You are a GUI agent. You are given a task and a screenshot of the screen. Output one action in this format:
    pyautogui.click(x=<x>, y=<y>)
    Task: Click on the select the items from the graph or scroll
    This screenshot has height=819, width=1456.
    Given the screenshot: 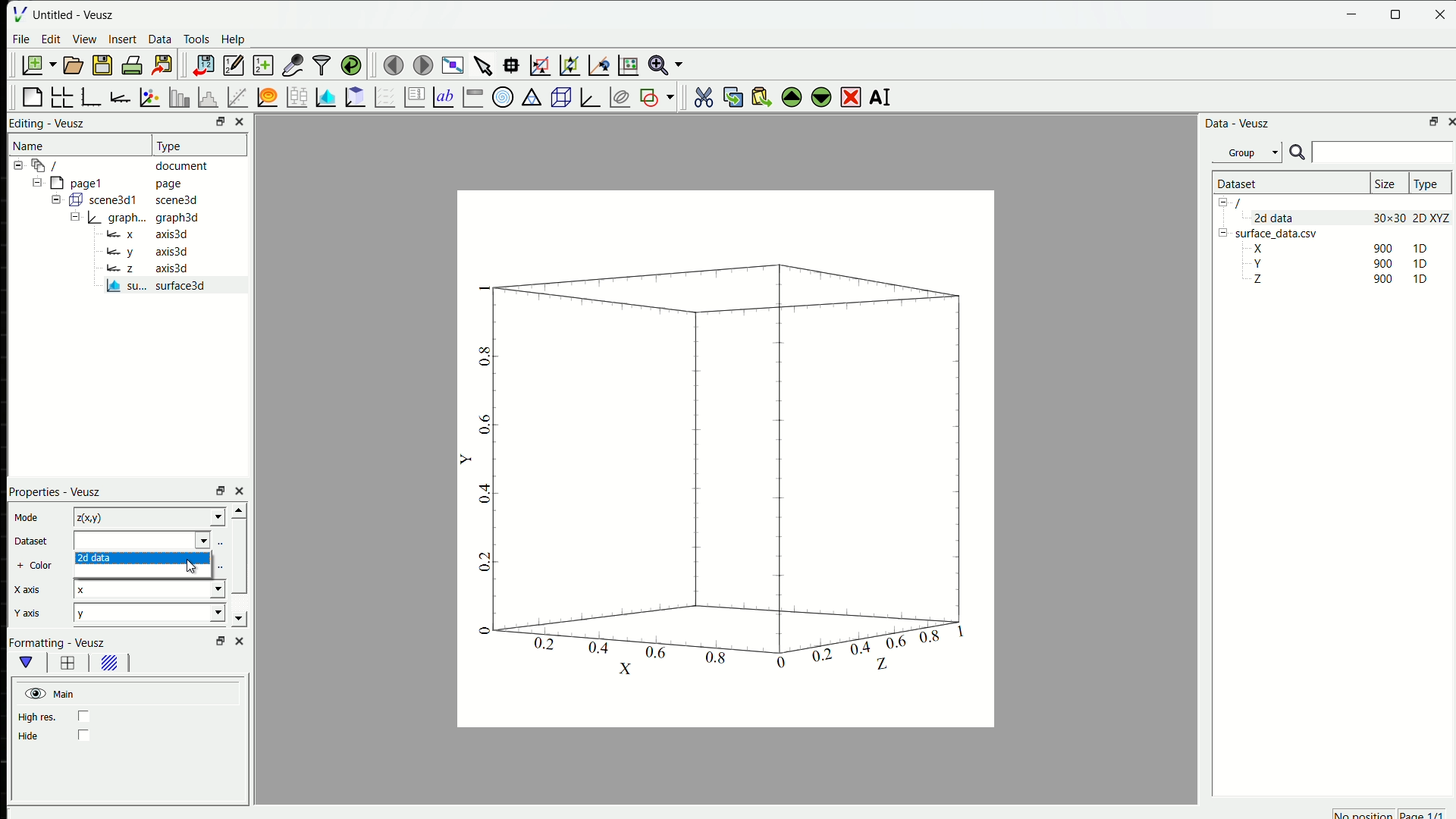 What is the action you would take?
    pyautogui.click(x=485, y=65)
    